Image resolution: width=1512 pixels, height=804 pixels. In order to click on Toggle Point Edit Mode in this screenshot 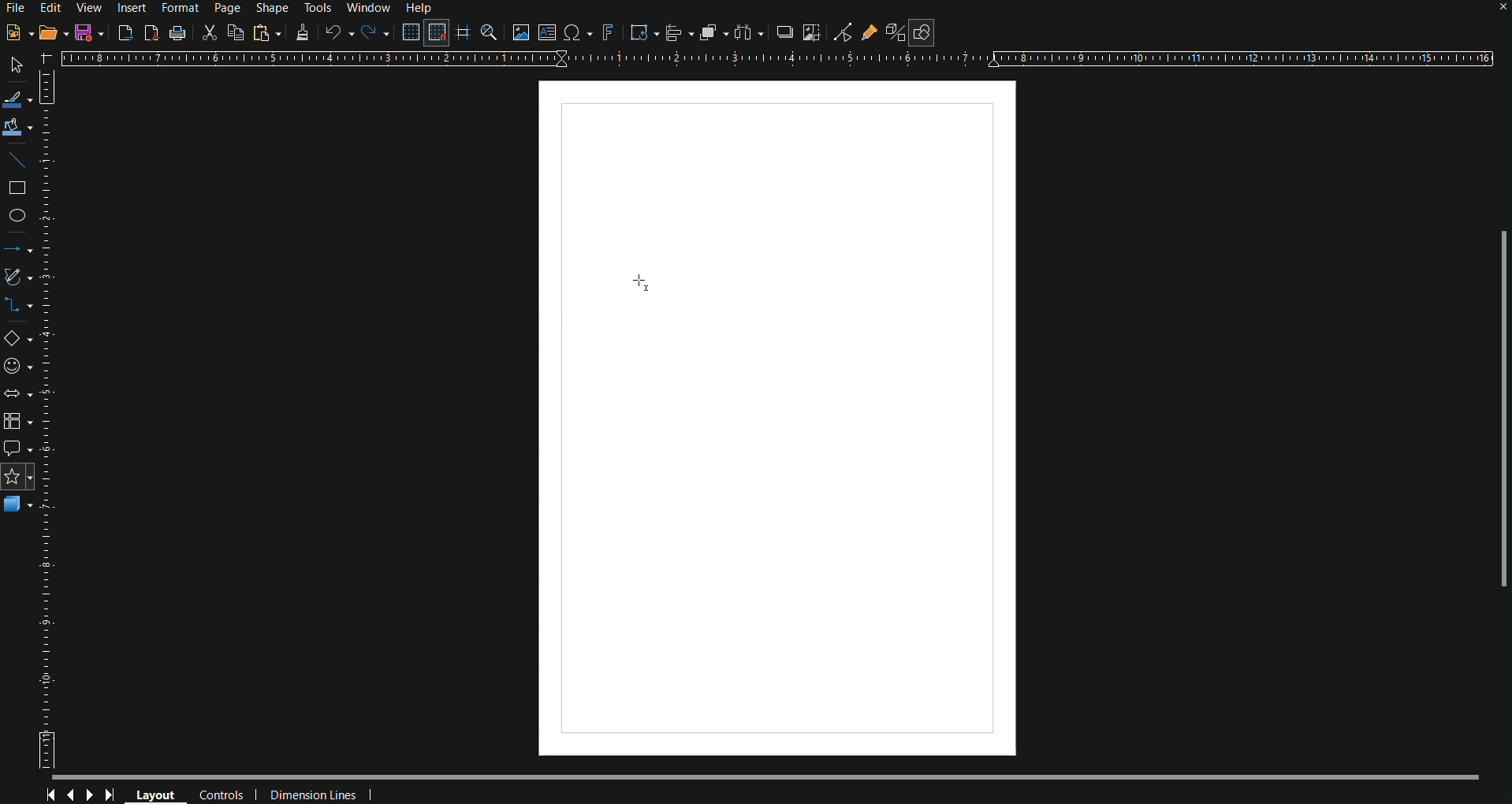, I will do `click(844, 33)`.